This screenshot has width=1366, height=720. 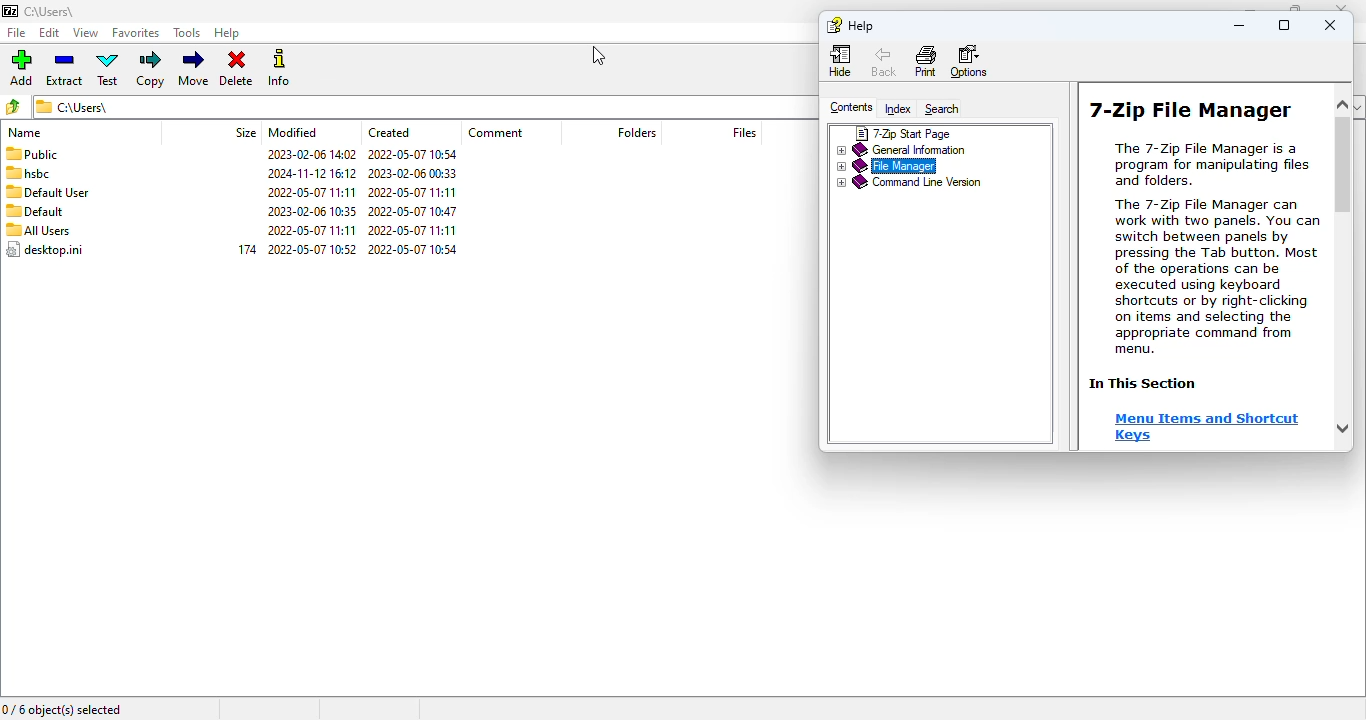 What do you see at coordinates (293, 132) in the screenshot?
I see `modified` at bounding box center [293, 132].